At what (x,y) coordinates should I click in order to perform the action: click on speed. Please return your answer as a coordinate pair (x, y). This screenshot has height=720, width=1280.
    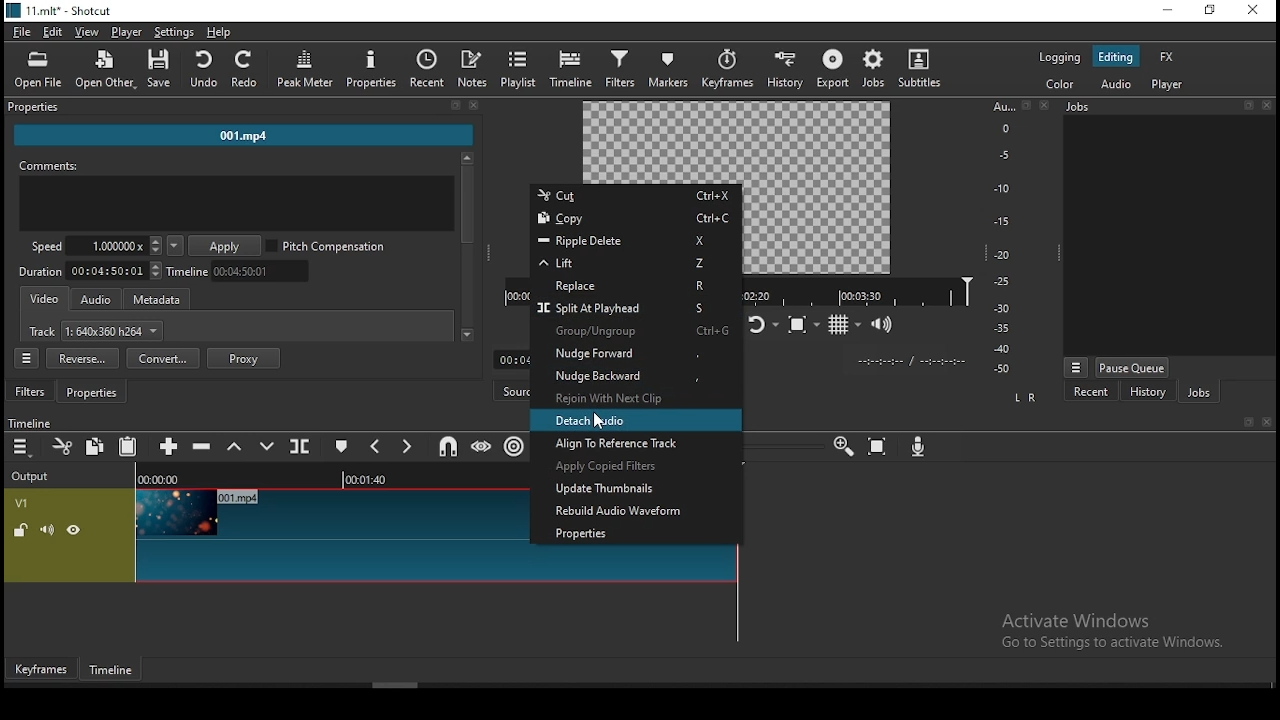
    Looking at the image, I should click on (93, 247).